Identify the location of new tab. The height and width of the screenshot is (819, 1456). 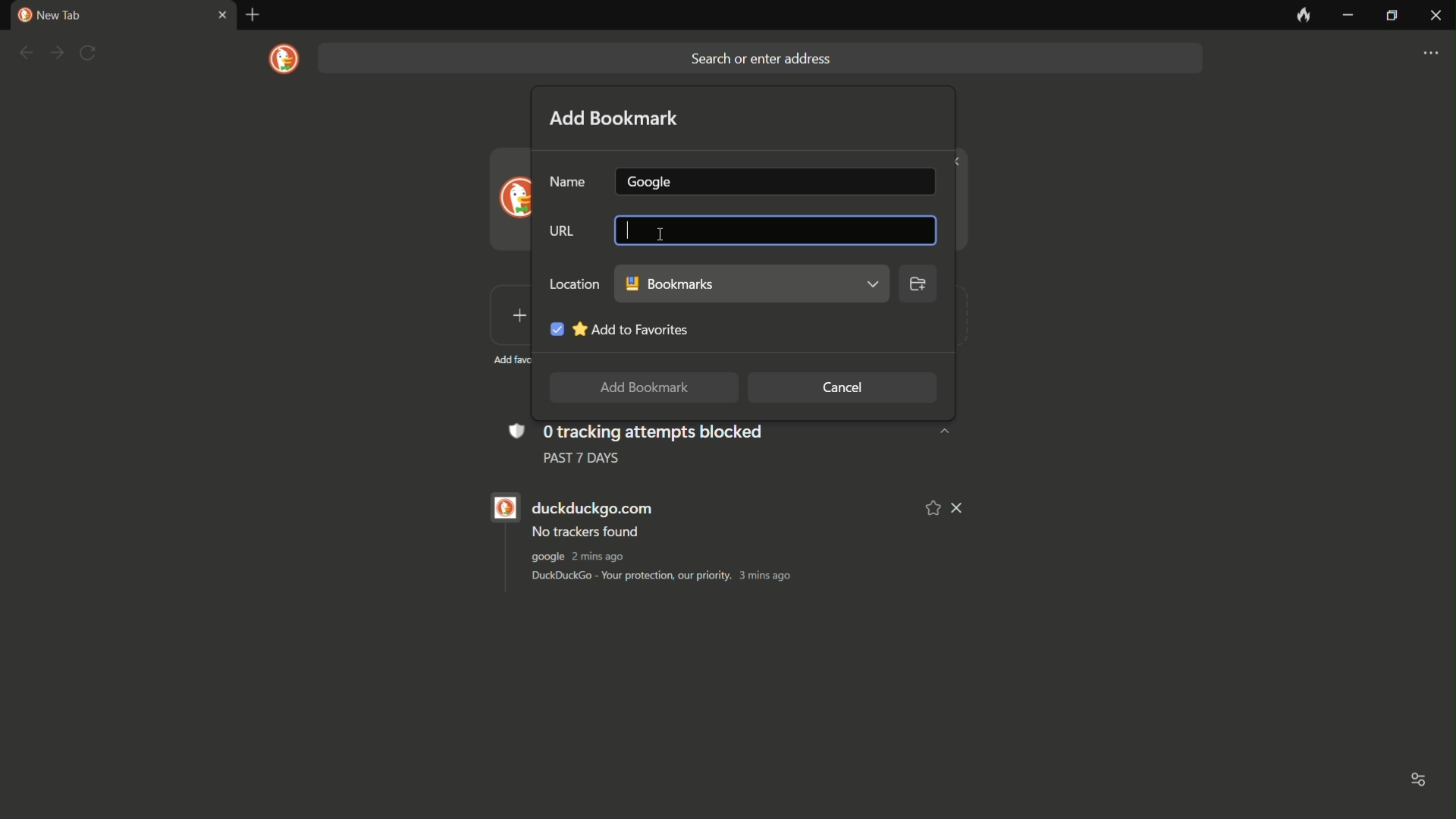
(49, 15).